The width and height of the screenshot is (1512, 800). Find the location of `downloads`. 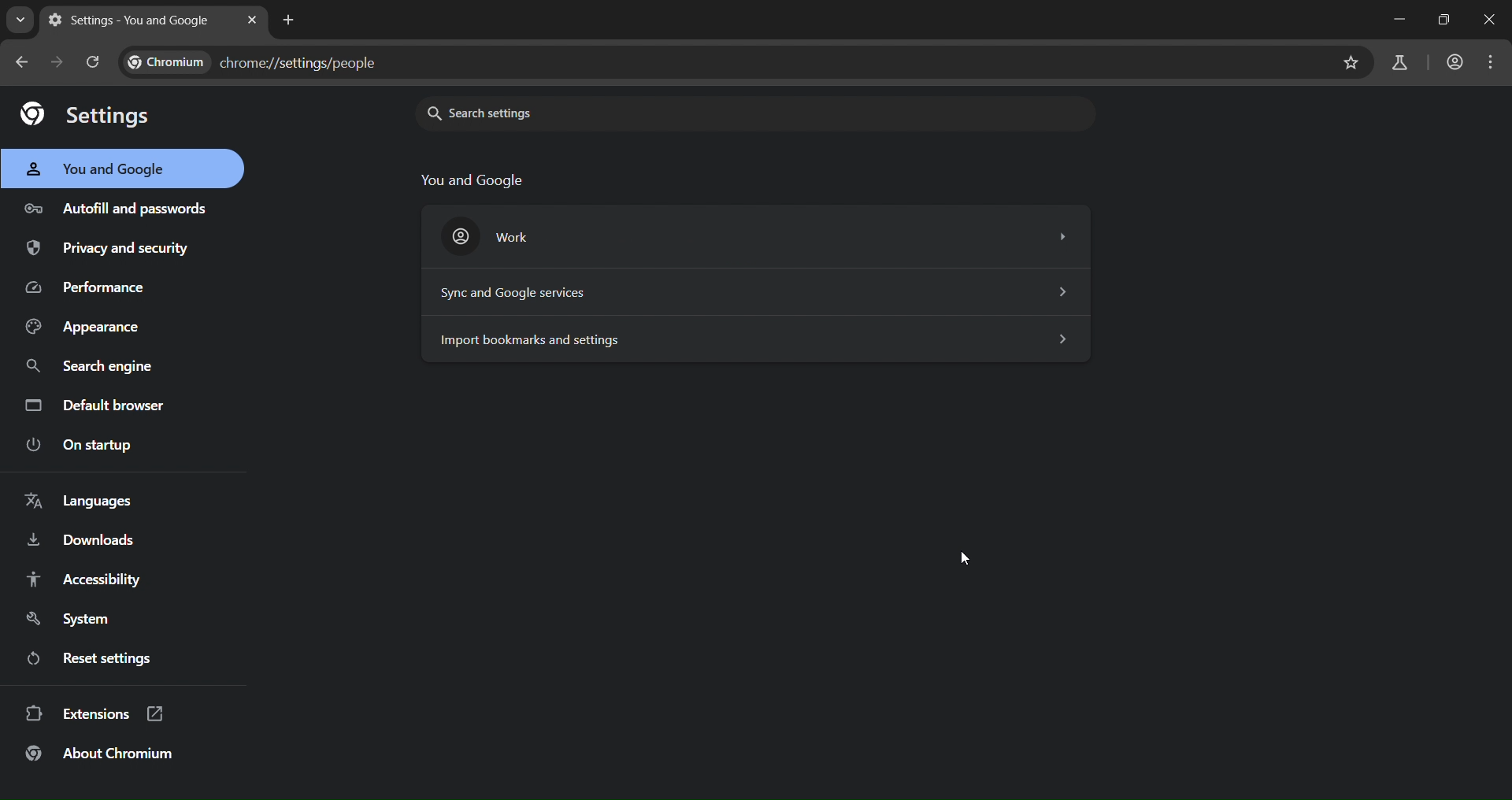

downloads is located at coordinates (85, 543).